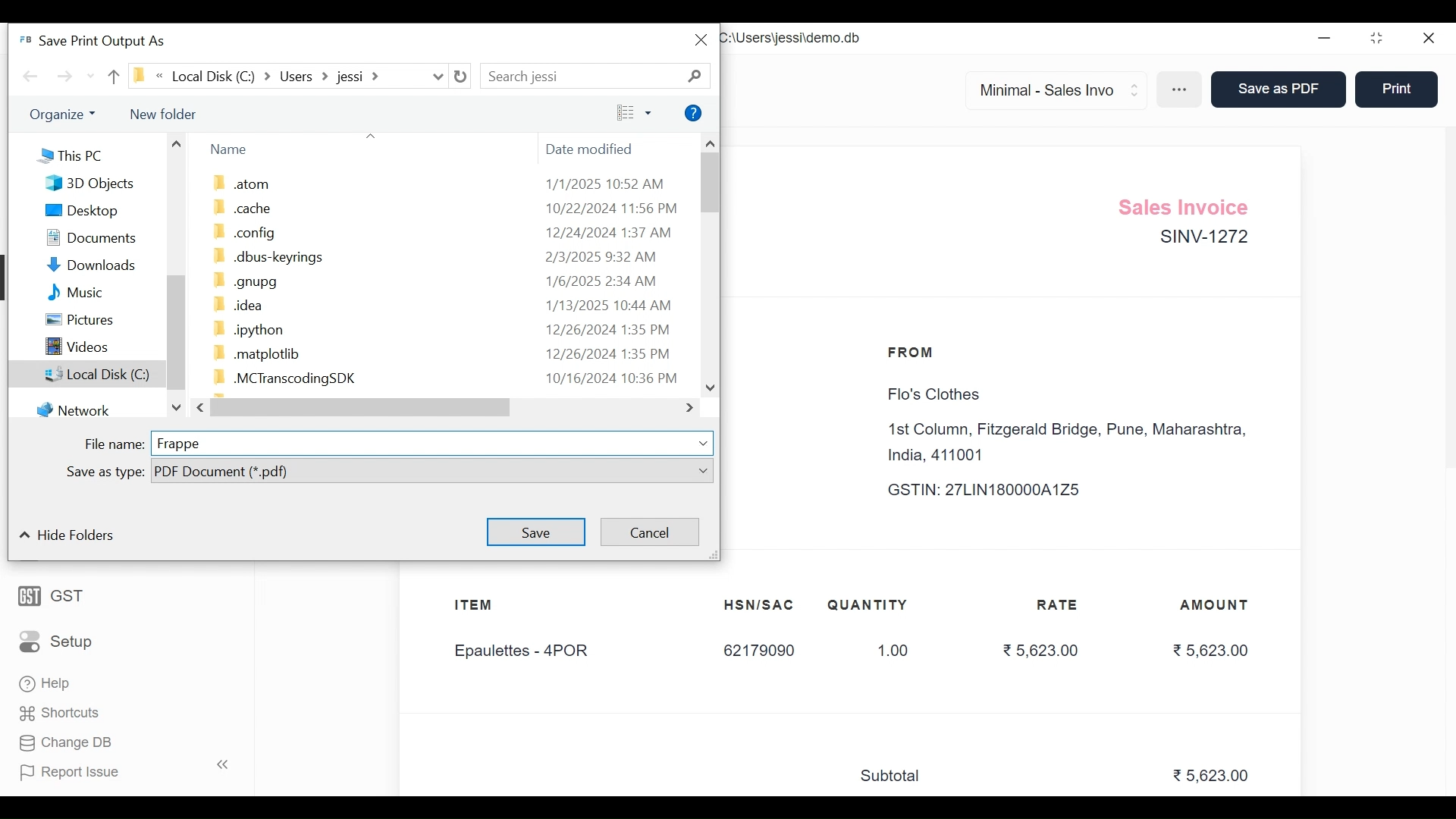 Image resolution: width=1456 pixels, height=819 pixels. What do you see at coordinates (52, 595) in the screenshot?
I see `GST` at bounding box center [52, 595].